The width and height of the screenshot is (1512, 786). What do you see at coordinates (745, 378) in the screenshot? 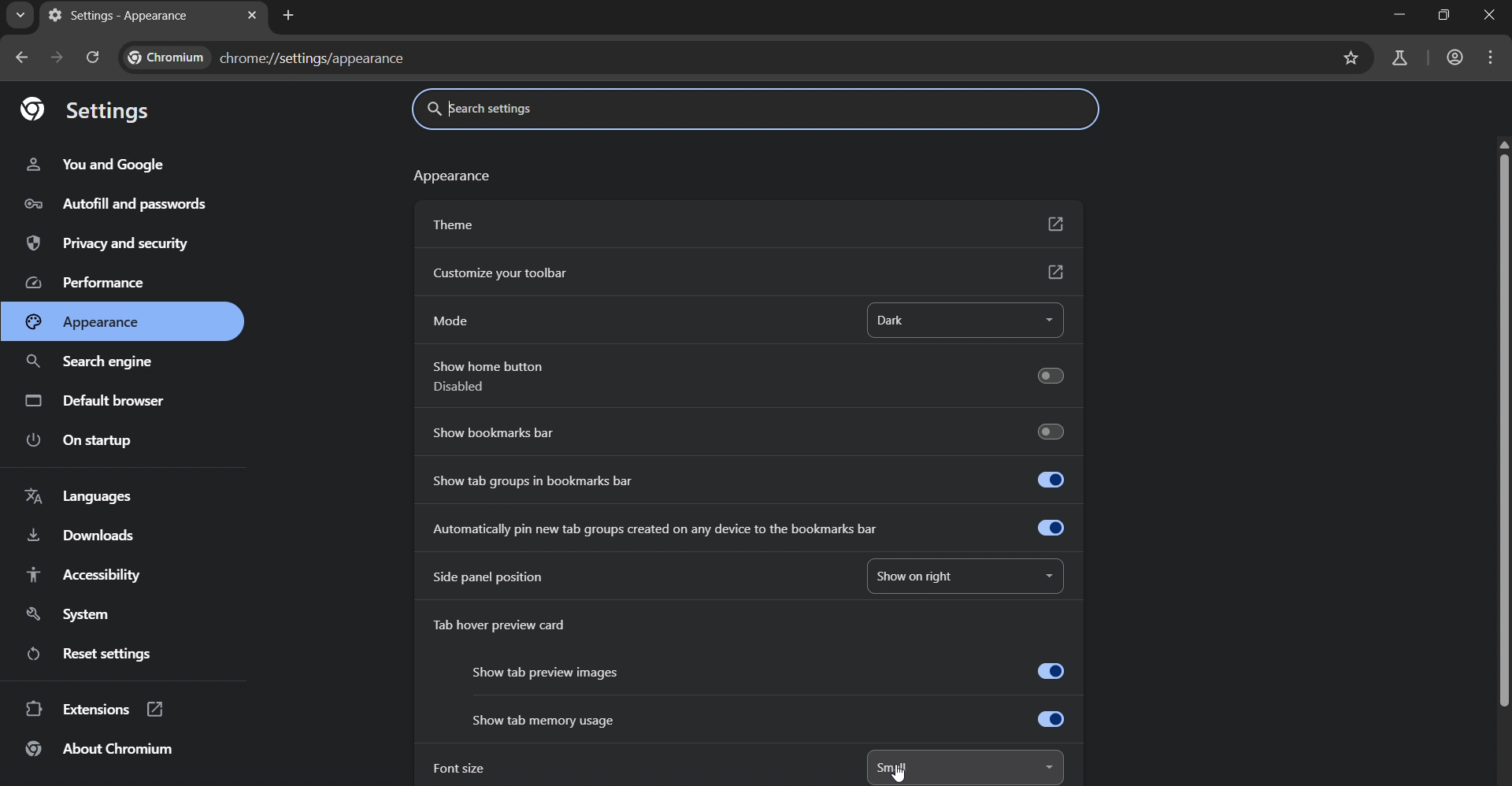
I see `show home button` at bounding box center [745, 378].